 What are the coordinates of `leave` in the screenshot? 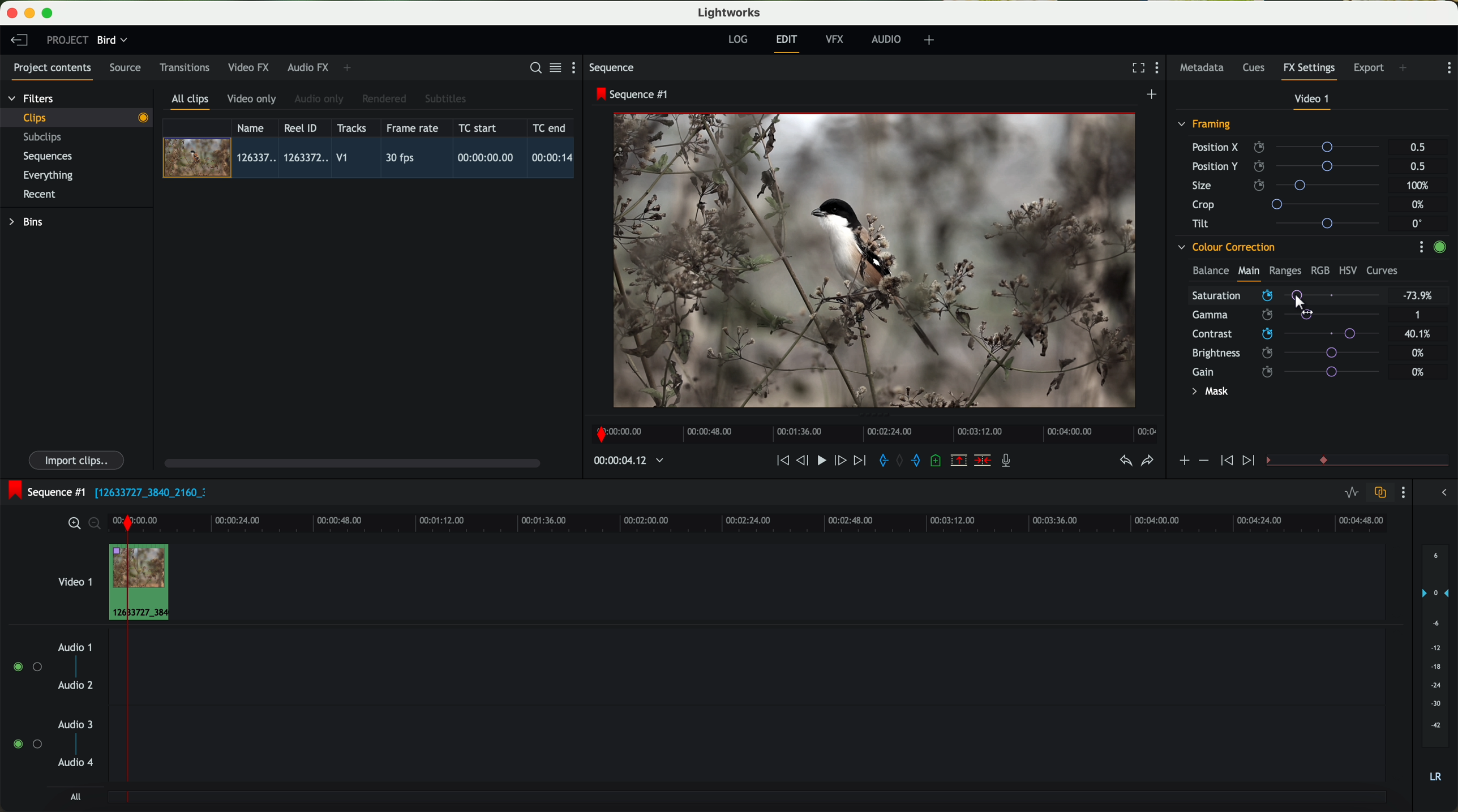 It's located at (19, 41).